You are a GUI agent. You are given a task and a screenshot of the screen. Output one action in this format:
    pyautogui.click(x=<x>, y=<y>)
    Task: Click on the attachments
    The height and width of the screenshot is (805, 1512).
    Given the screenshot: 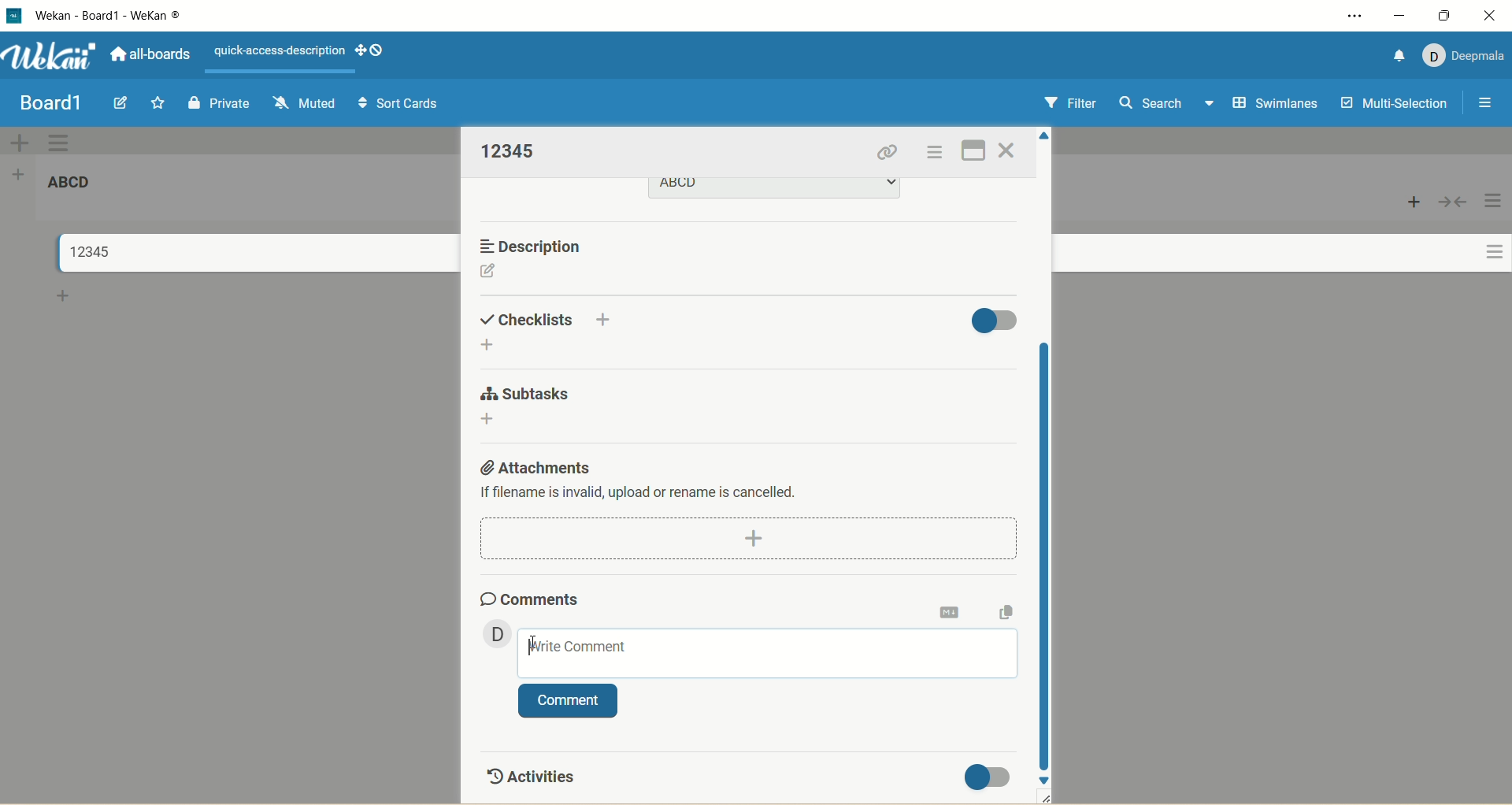 What is the action you would take?
    pyautogui.click(x=533, y=465)
    